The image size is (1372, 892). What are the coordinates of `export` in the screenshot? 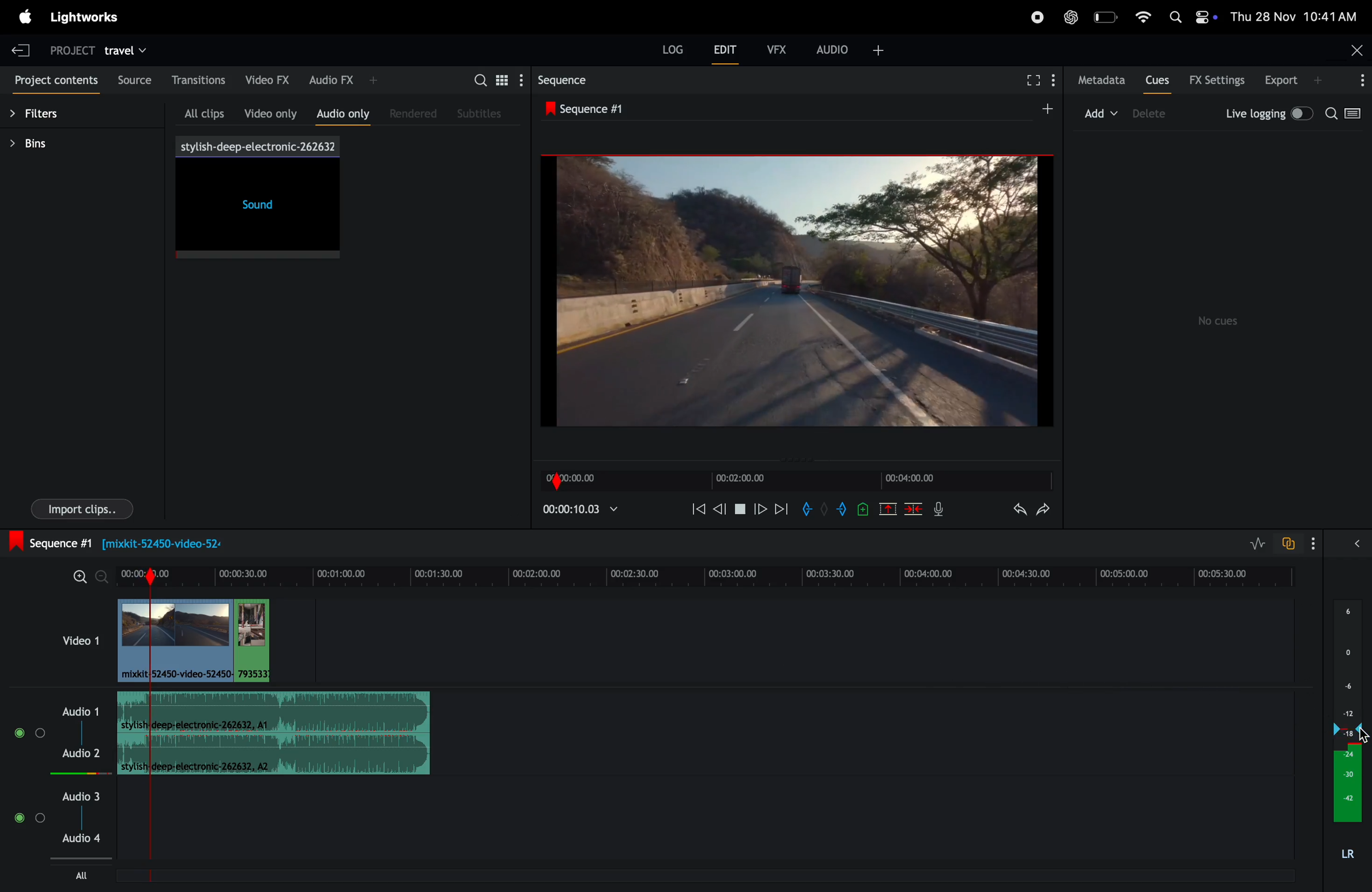 It's located at (1294, 80).